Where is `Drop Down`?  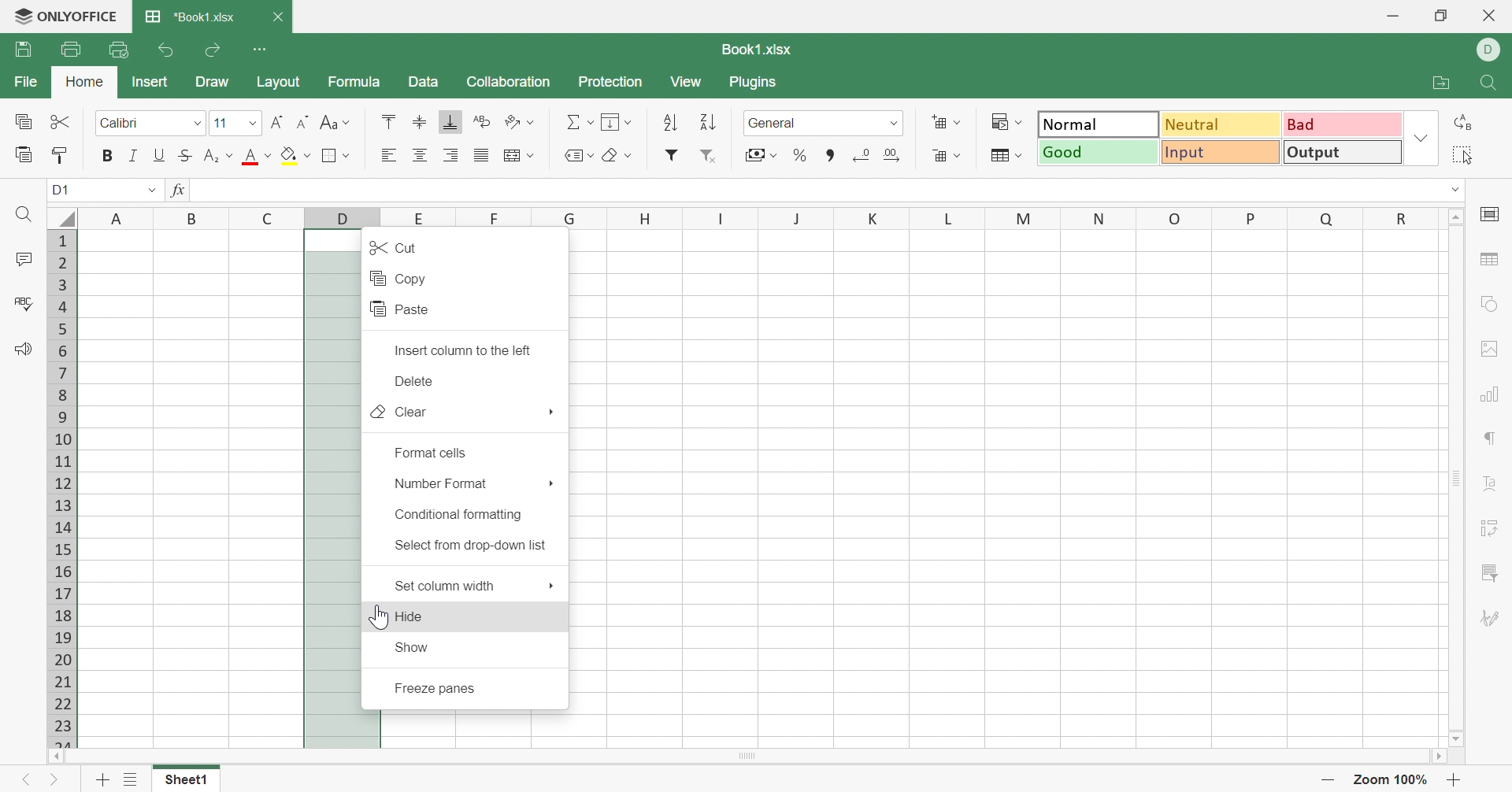 Drop Down is located at coordinates (628, 155).